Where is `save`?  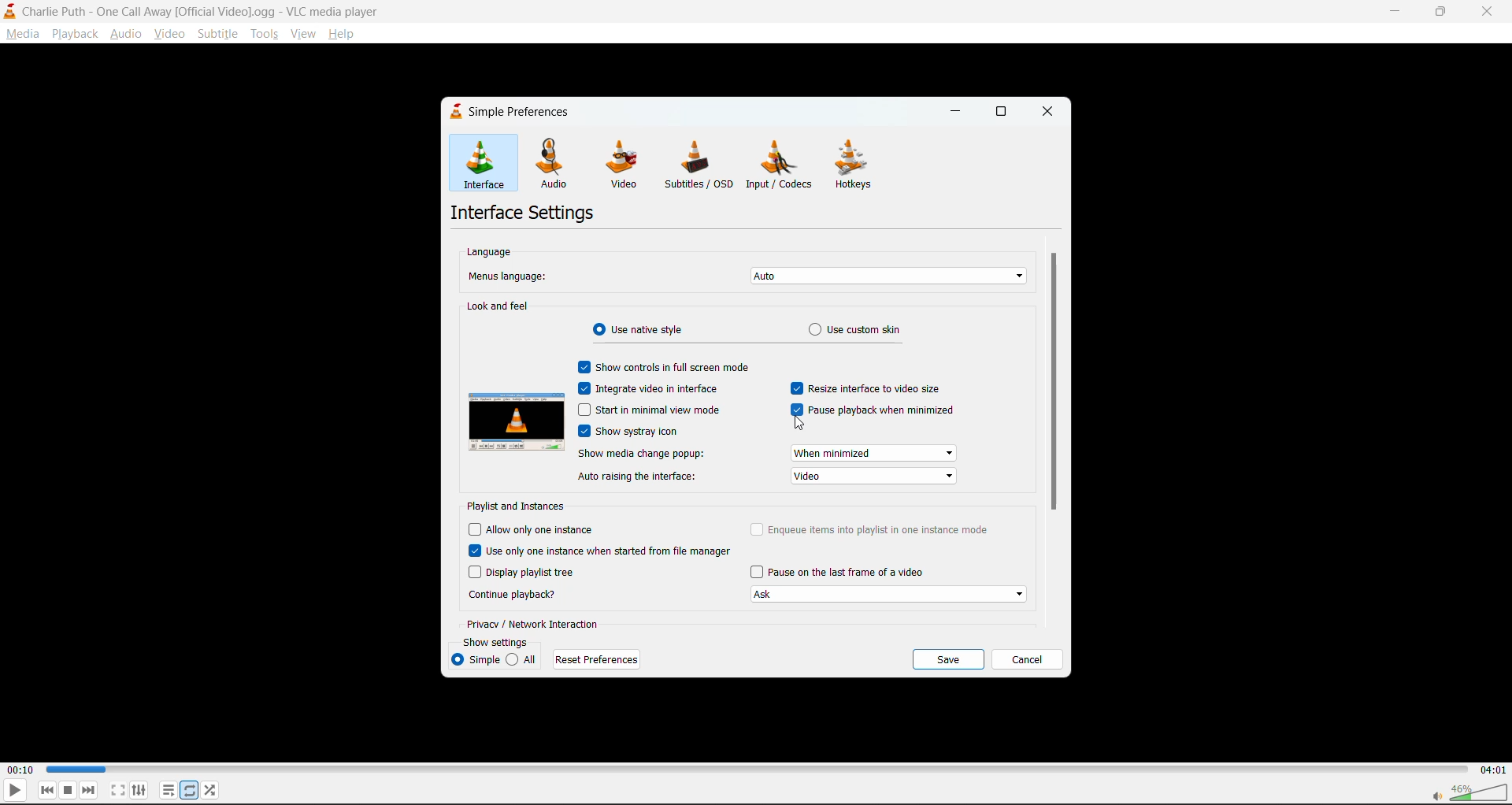 save is located at coordinates (951, 657).